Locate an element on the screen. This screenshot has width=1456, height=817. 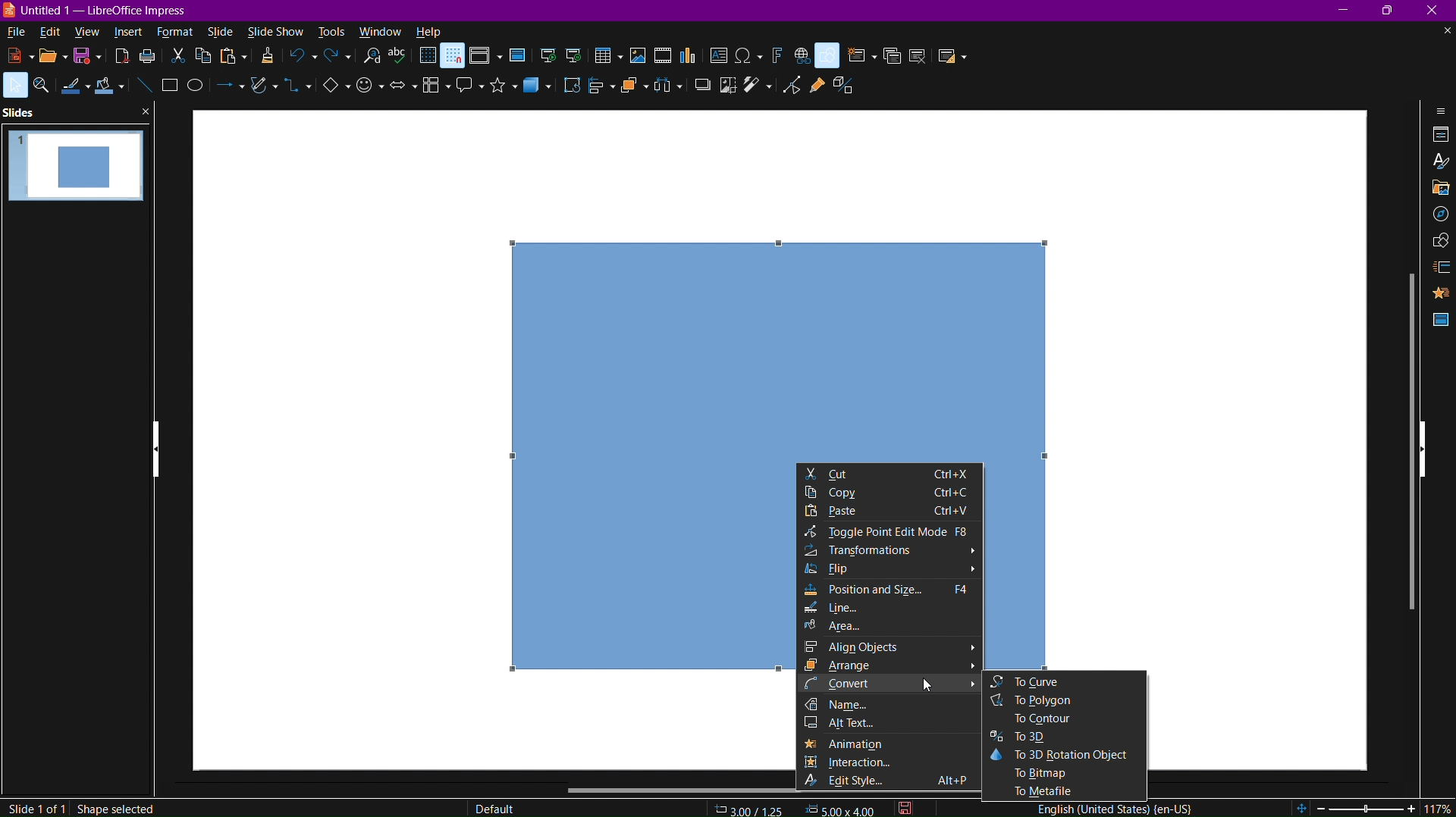
Help is located at coordinates (429, 32).